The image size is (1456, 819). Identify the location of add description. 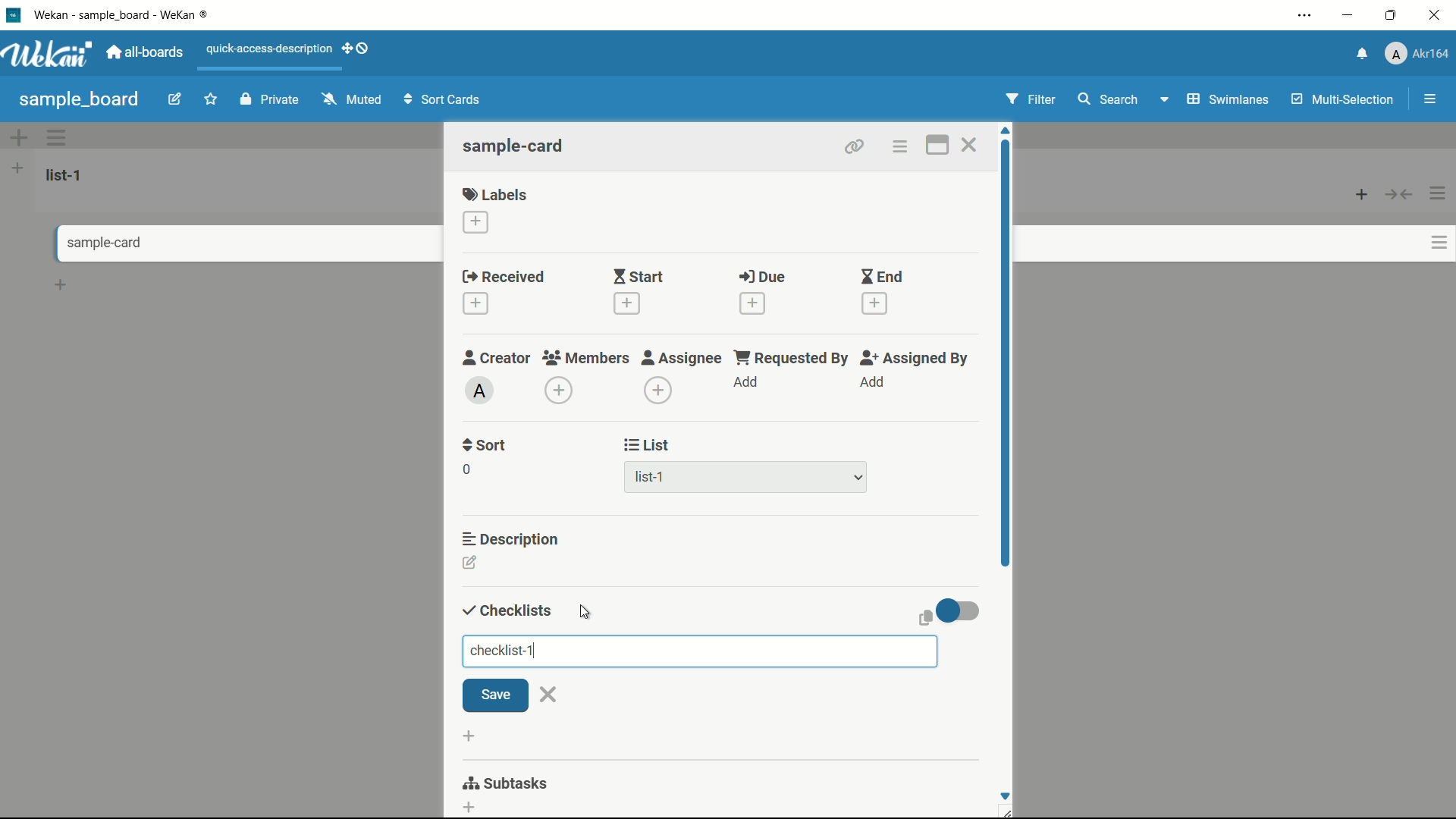
(471, 565).